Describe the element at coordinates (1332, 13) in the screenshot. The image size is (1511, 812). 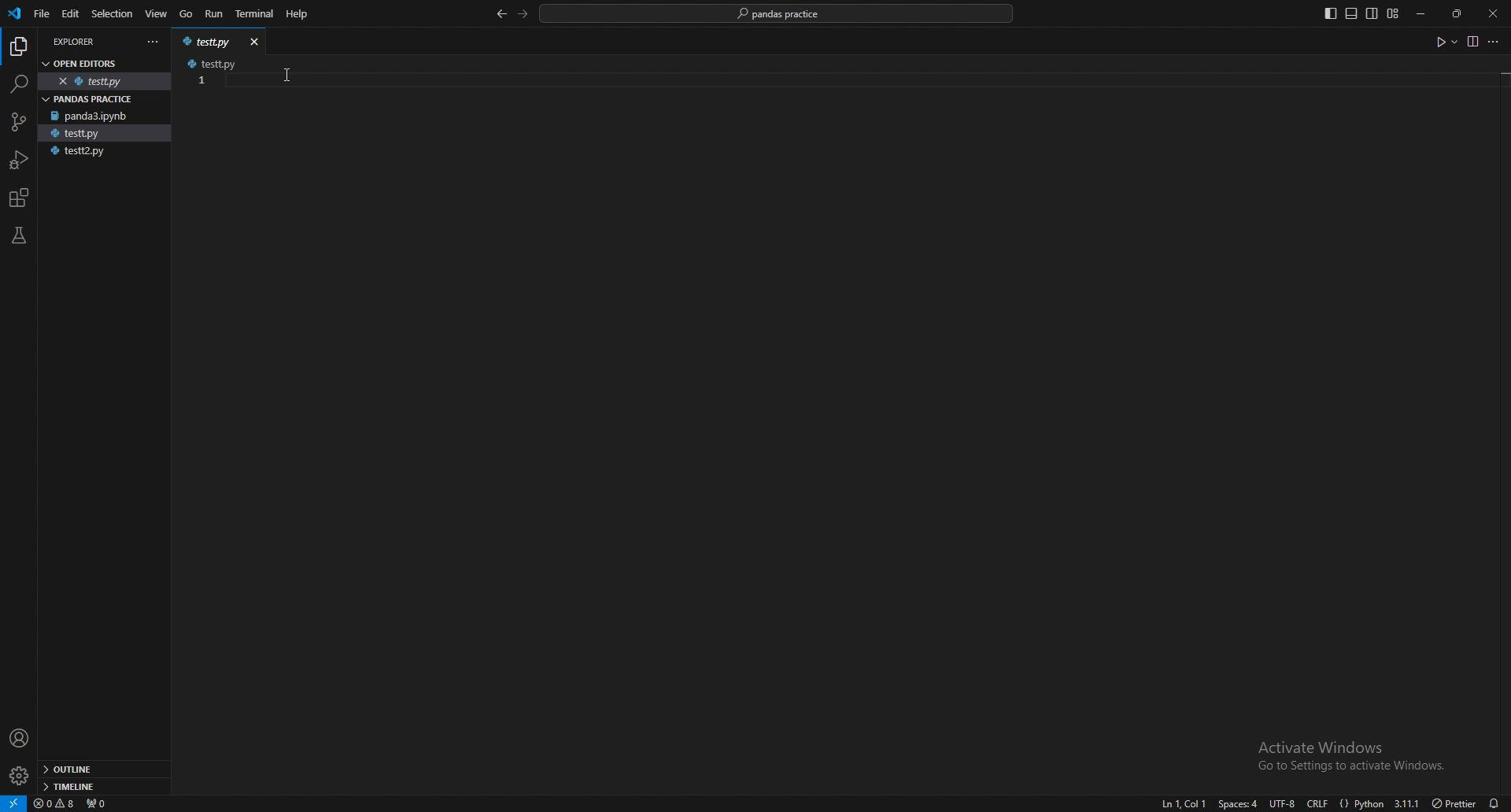
I see `toggle primary side bar` at that location.